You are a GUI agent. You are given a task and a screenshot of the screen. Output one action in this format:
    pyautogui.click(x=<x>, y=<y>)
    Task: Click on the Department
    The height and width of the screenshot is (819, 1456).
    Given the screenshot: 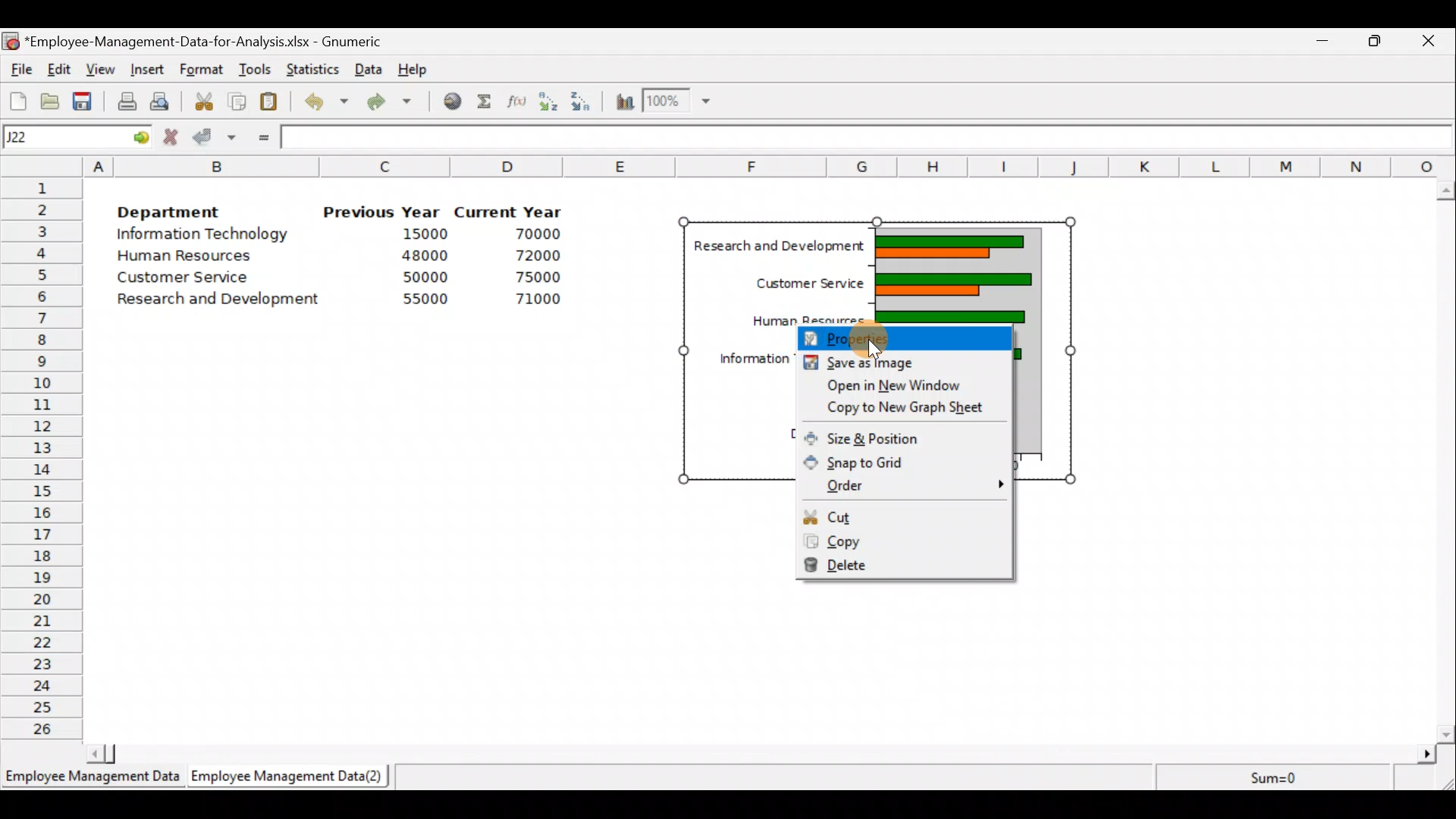 What is the action you would take?
    pyautogui.click(x=180, y=212)
    